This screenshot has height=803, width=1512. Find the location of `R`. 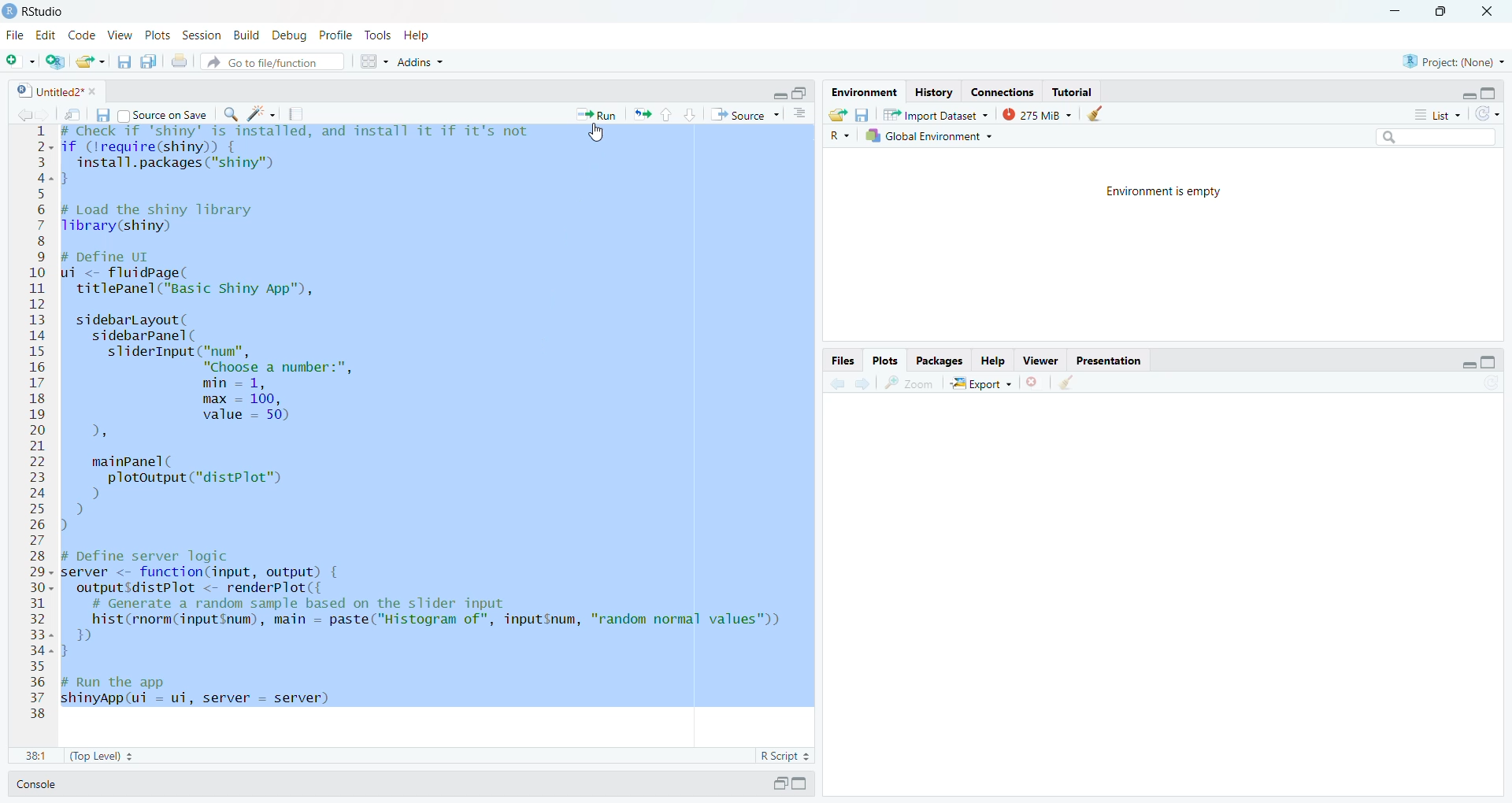

R is located at coordinates (839, 136).